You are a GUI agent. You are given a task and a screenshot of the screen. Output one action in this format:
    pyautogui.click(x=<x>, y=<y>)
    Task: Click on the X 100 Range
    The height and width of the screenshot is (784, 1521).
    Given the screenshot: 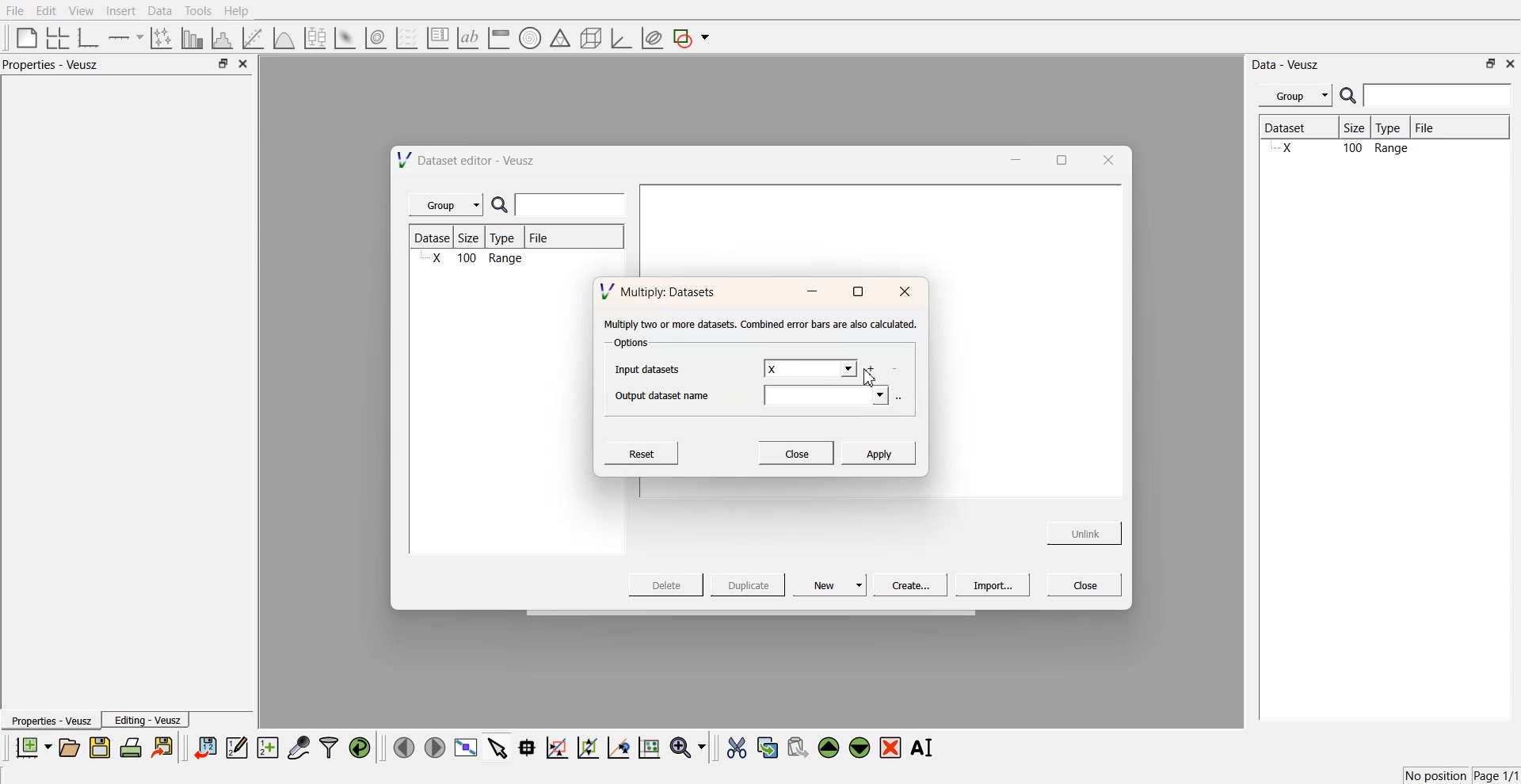 What is the action you would take?
    pyautogui.click(x=1382, y=150)
    